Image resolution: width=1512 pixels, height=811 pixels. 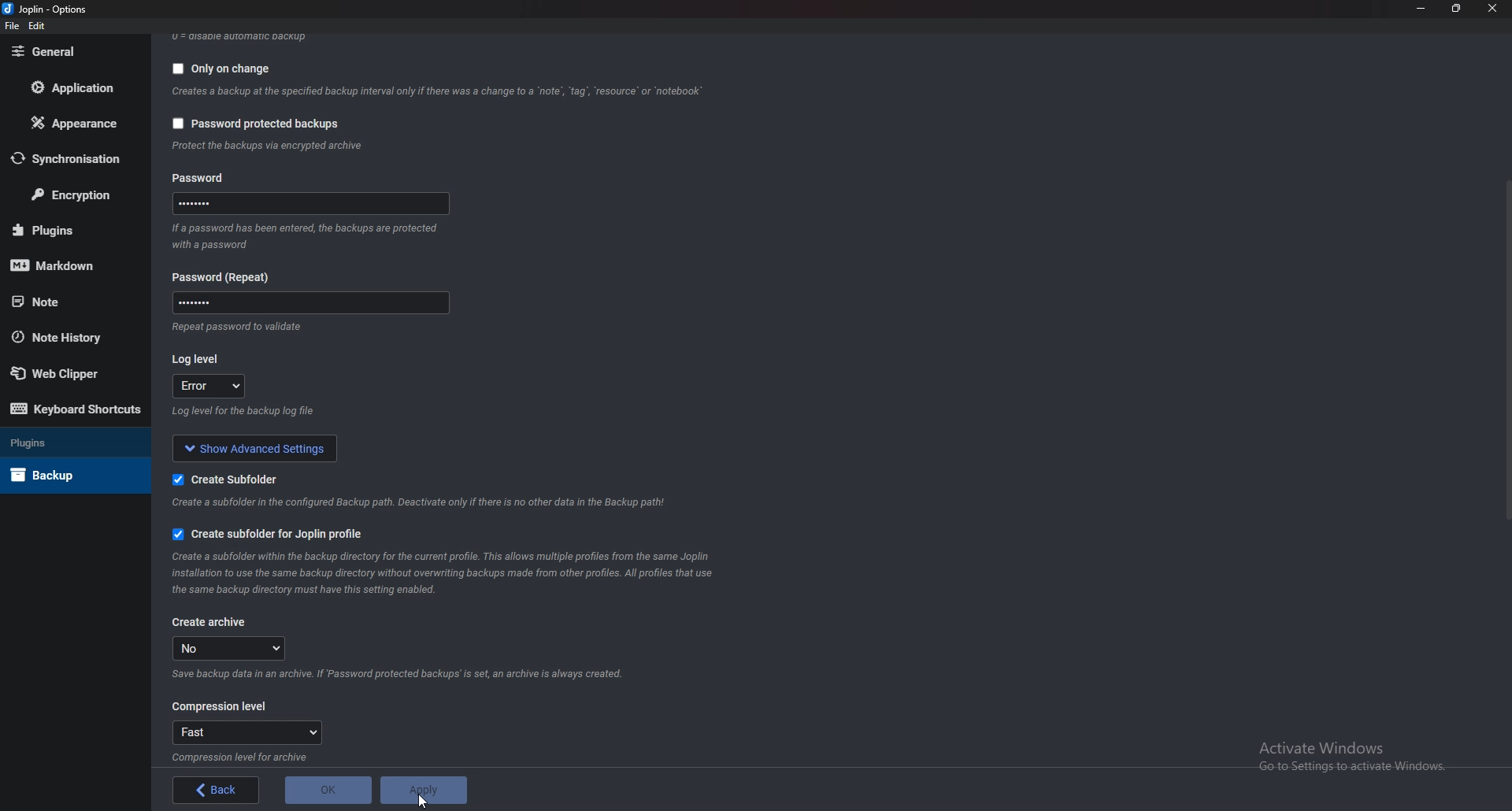 I want to click on Application, so click(x=80, y=87).